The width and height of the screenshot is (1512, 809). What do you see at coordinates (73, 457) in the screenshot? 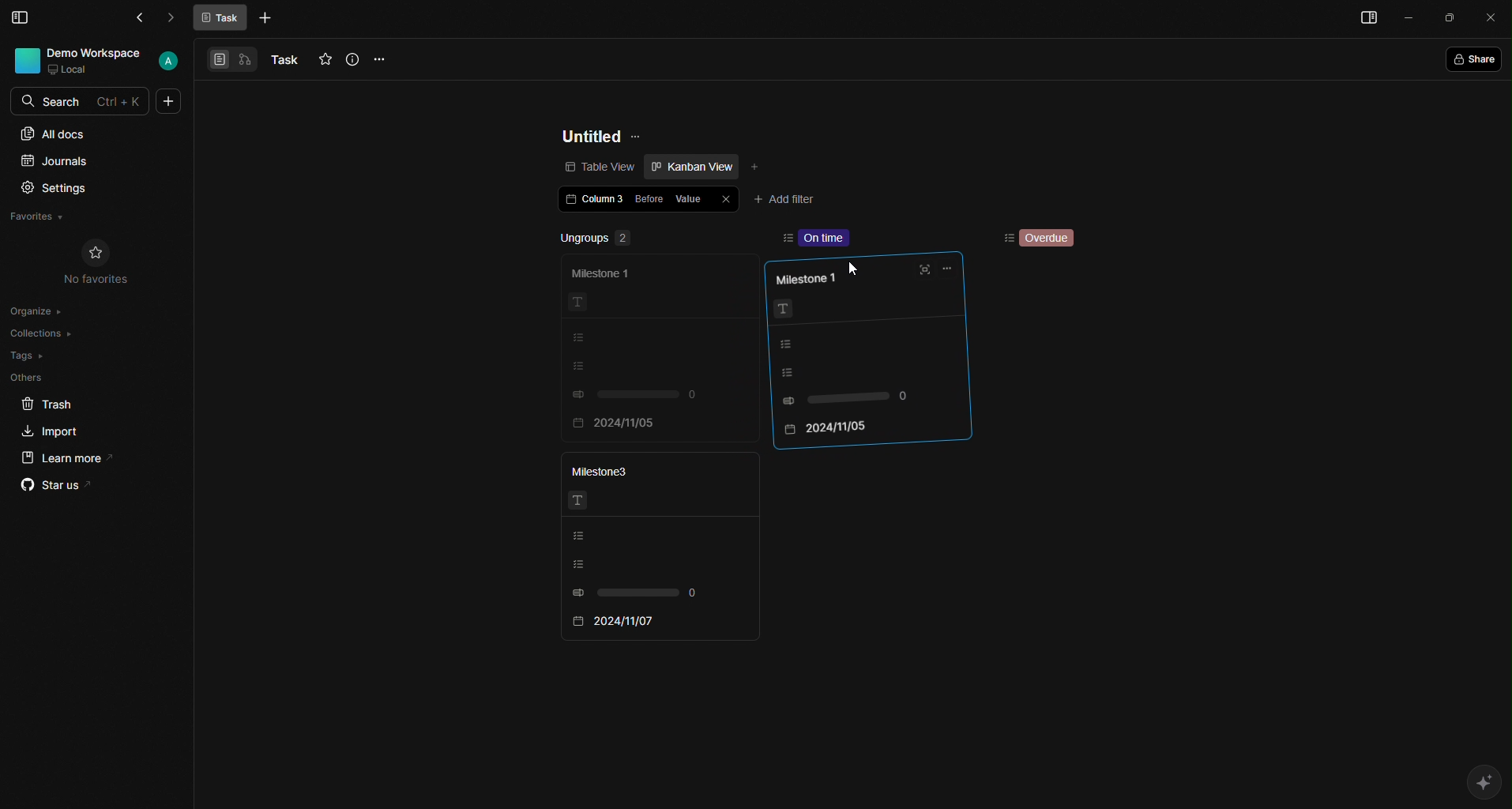
I see `Learn more` at bounding box center [73, 457].